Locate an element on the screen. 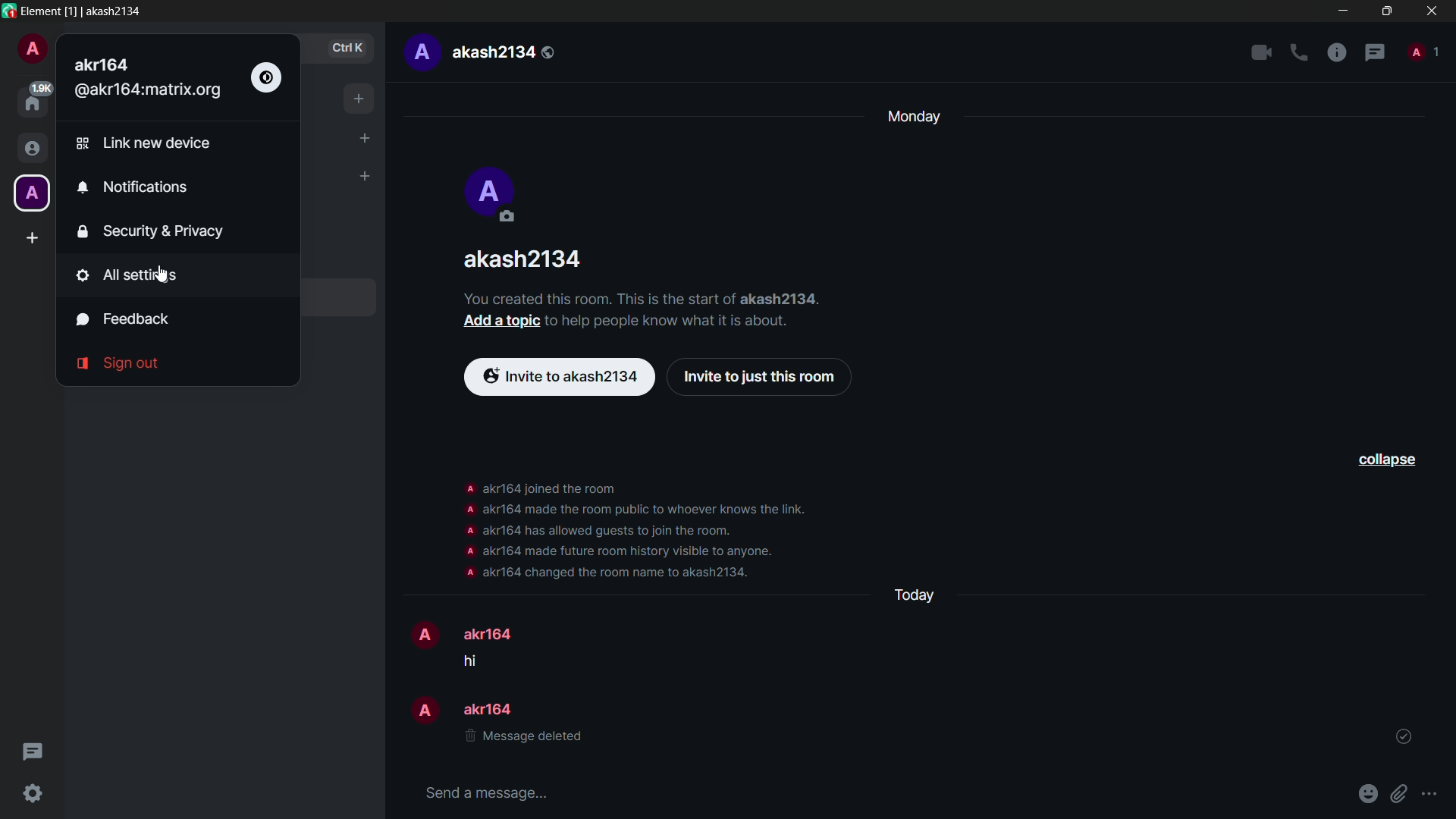 The width and height of the screenshot is (1456, 819). akr164 is located at coordinates (108, 63).